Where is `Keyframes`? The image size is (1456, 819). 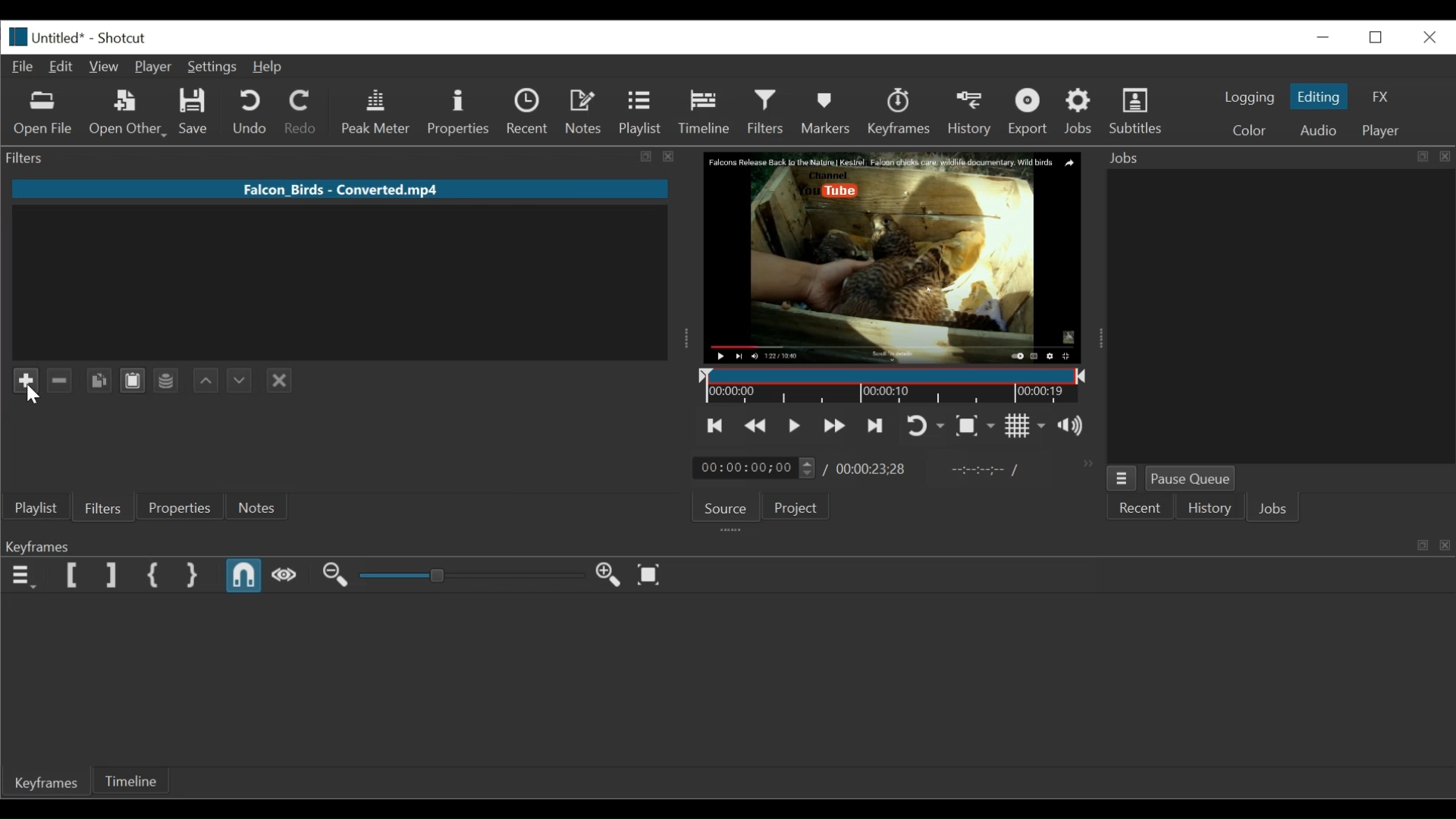 Keyframes is located at coordinates (899, 111).